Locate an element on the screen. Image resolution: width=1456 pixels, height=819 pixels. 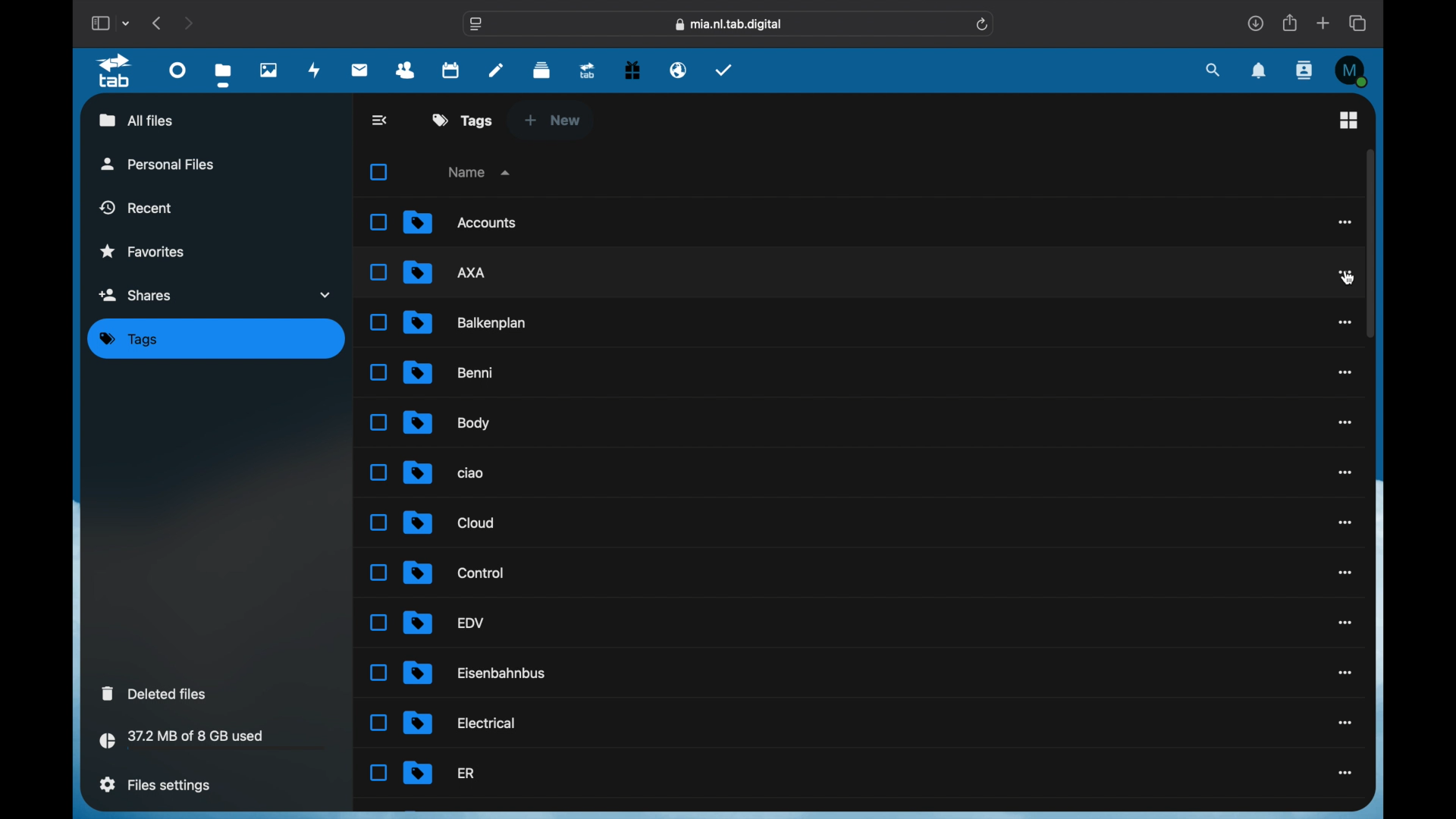
cursor is located at coordinates (1349, 278).